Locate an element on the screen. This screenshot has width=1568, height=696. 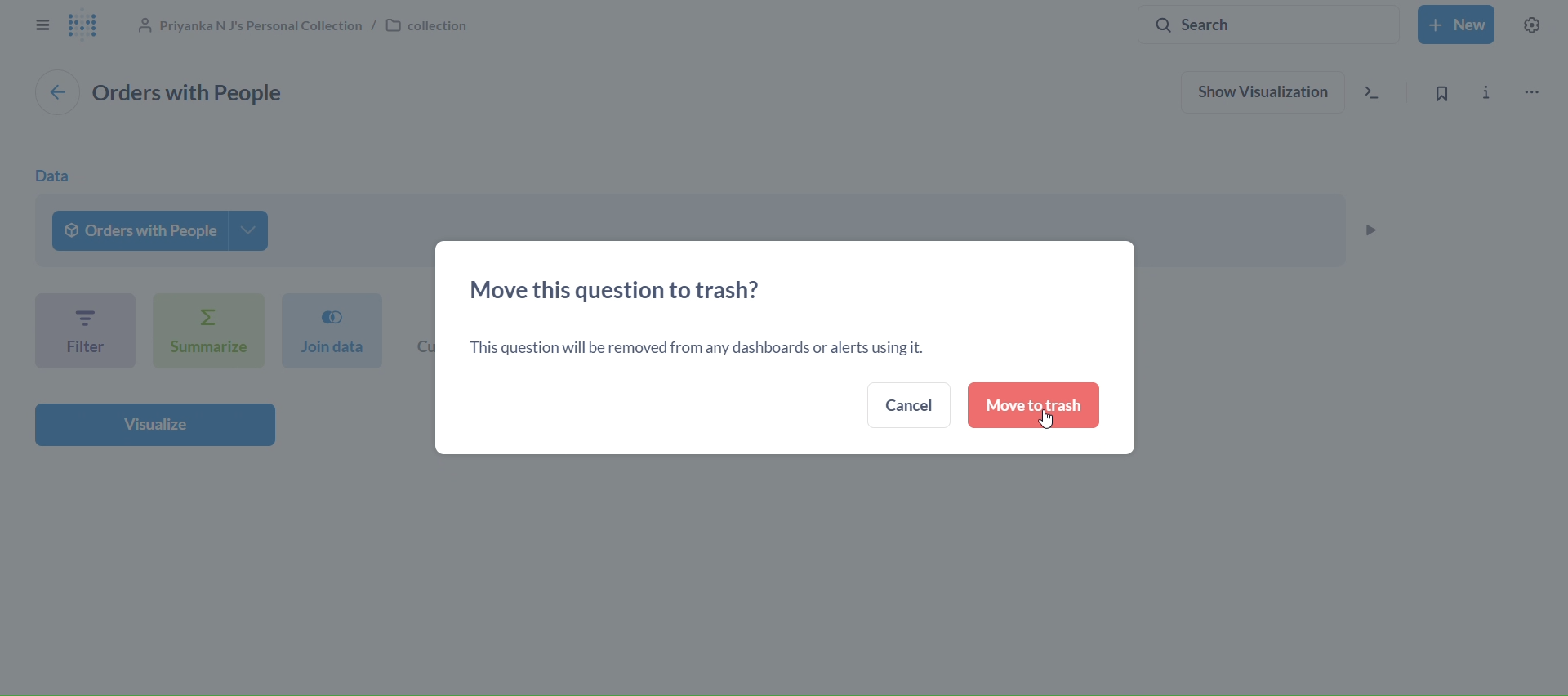
collection is located at coordinates (316, 28).